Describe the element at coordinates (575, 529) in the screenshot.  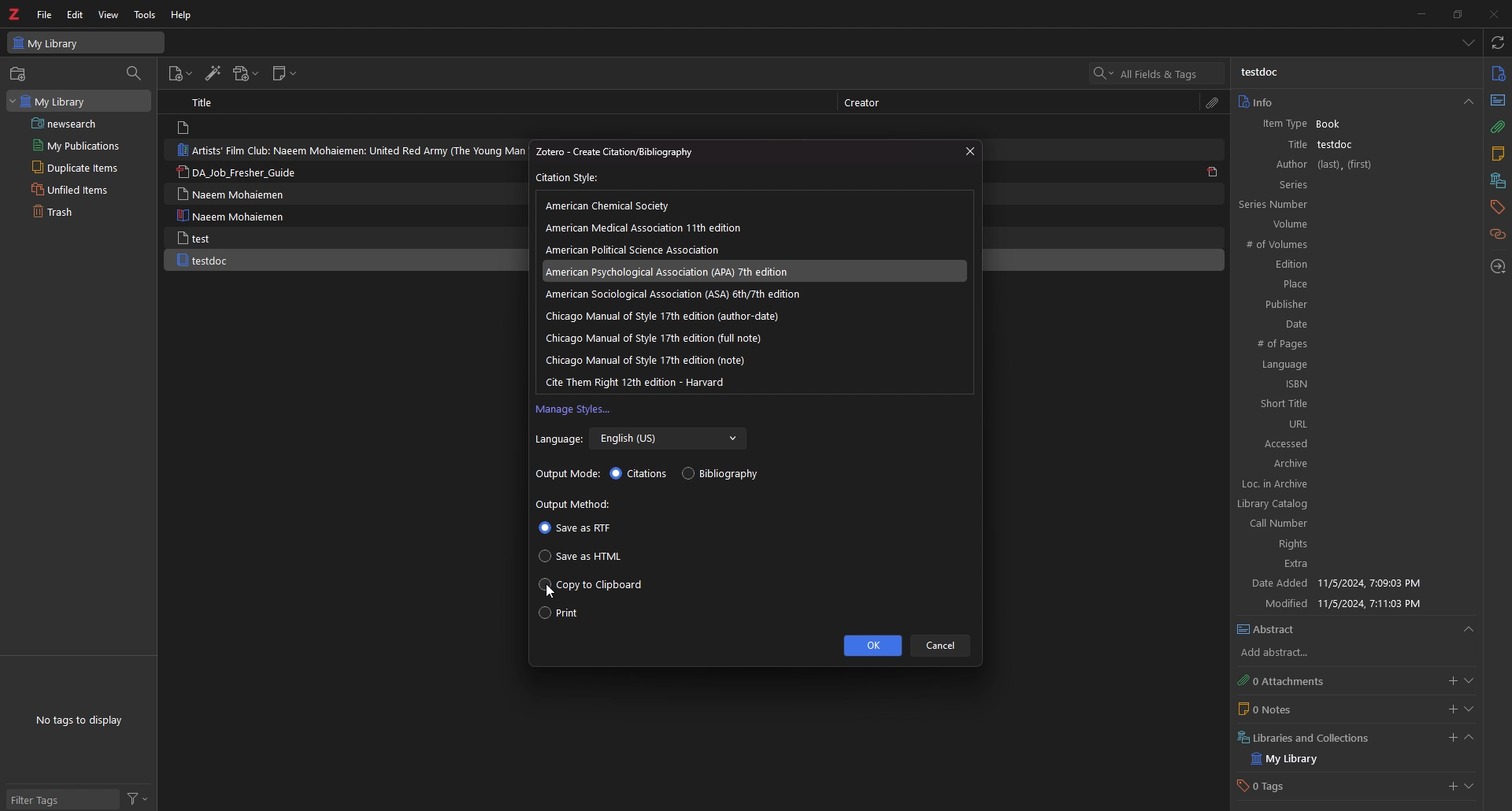
I see `save as rtf` at that location.